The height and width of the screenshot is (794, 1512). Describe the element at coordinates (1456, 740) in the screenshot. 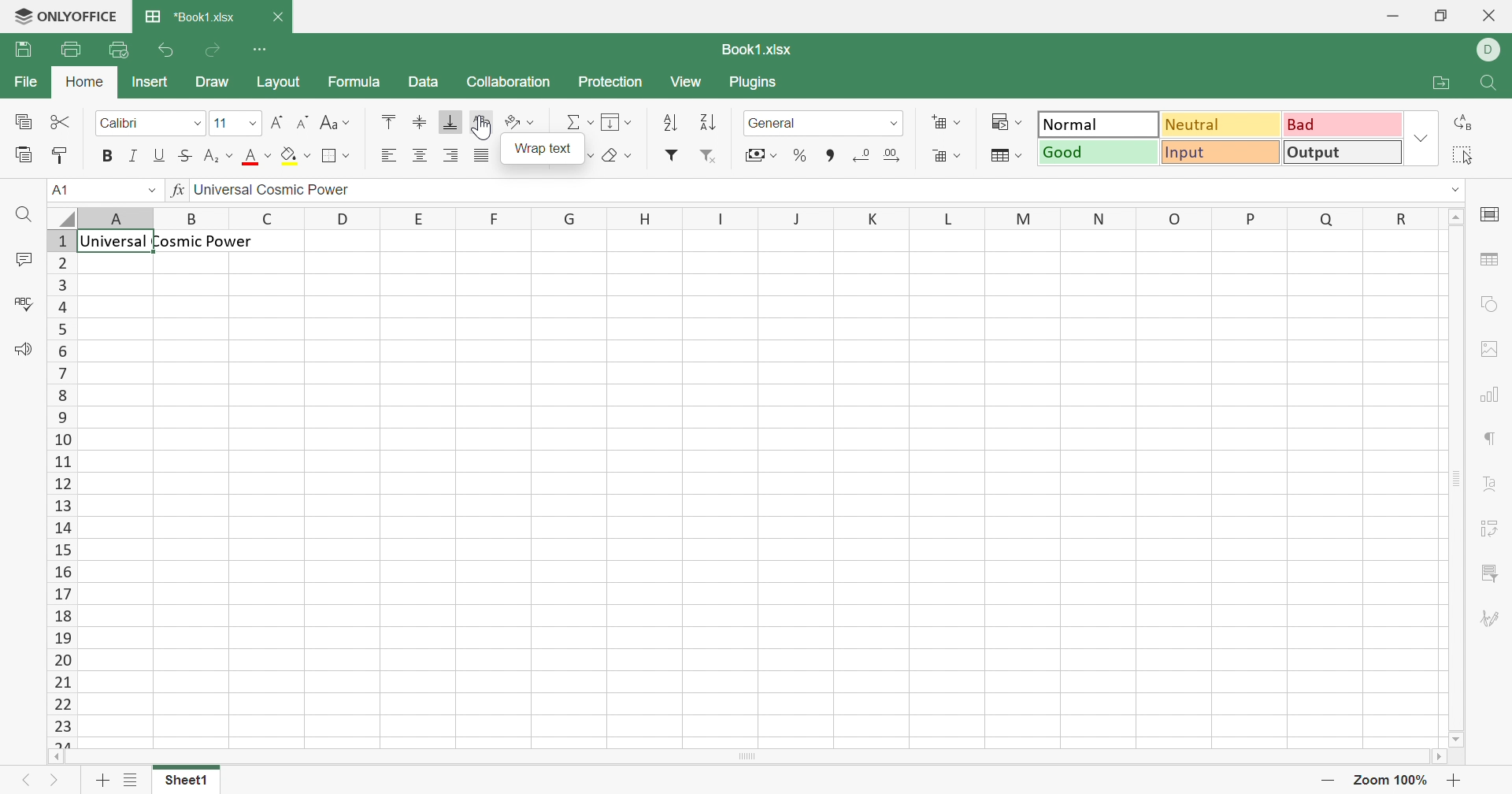

I see `Scroll Down` at that location.